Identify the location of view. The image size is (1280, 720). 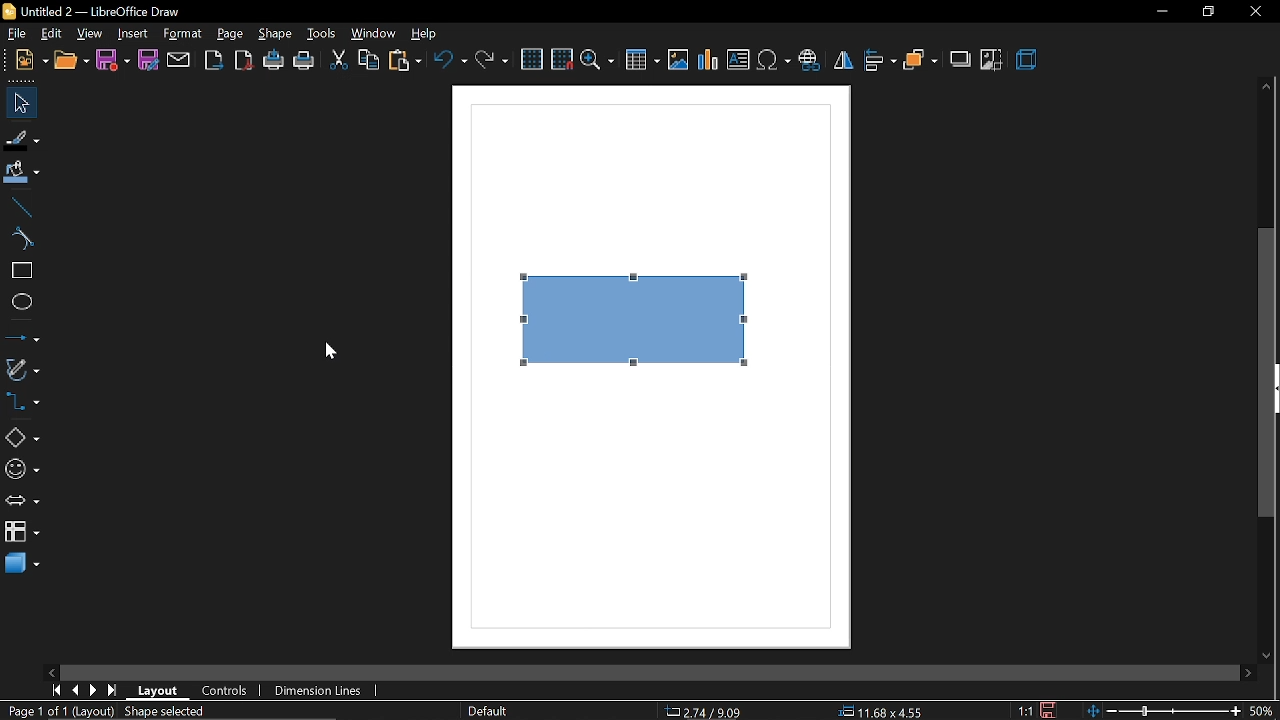
(92, 34).